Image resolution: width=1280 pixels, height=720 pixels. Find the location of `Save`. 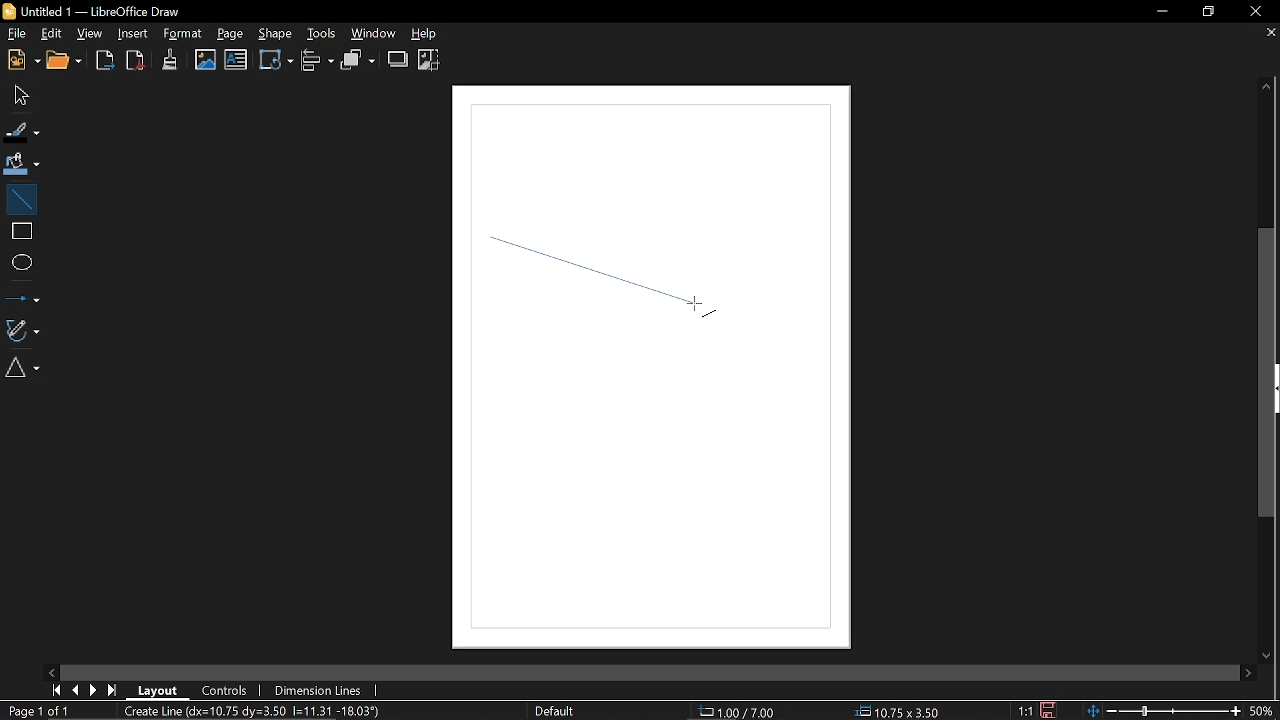

Save is located at coordinates (1048, 711).